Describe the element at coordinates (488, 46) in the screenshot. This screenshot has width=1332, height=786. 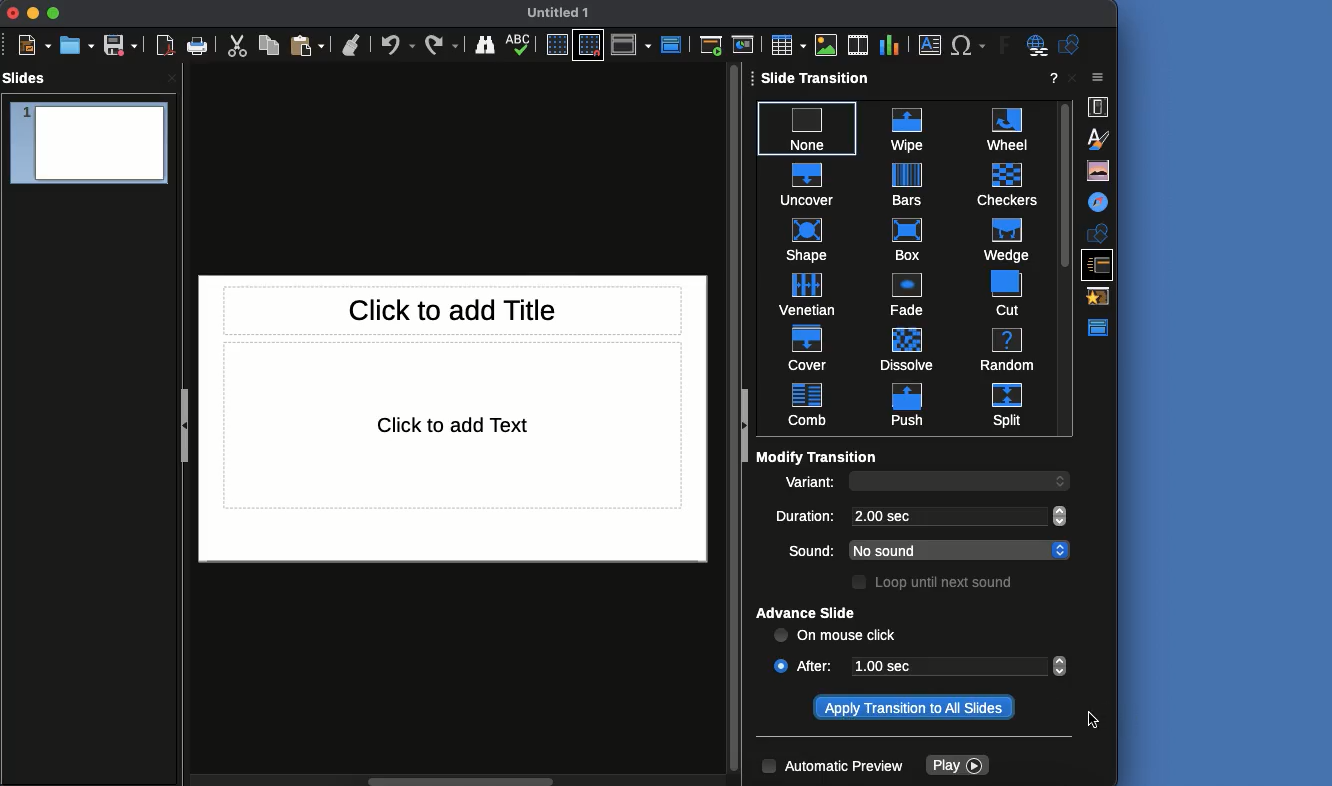
I see `Finder` at that location.